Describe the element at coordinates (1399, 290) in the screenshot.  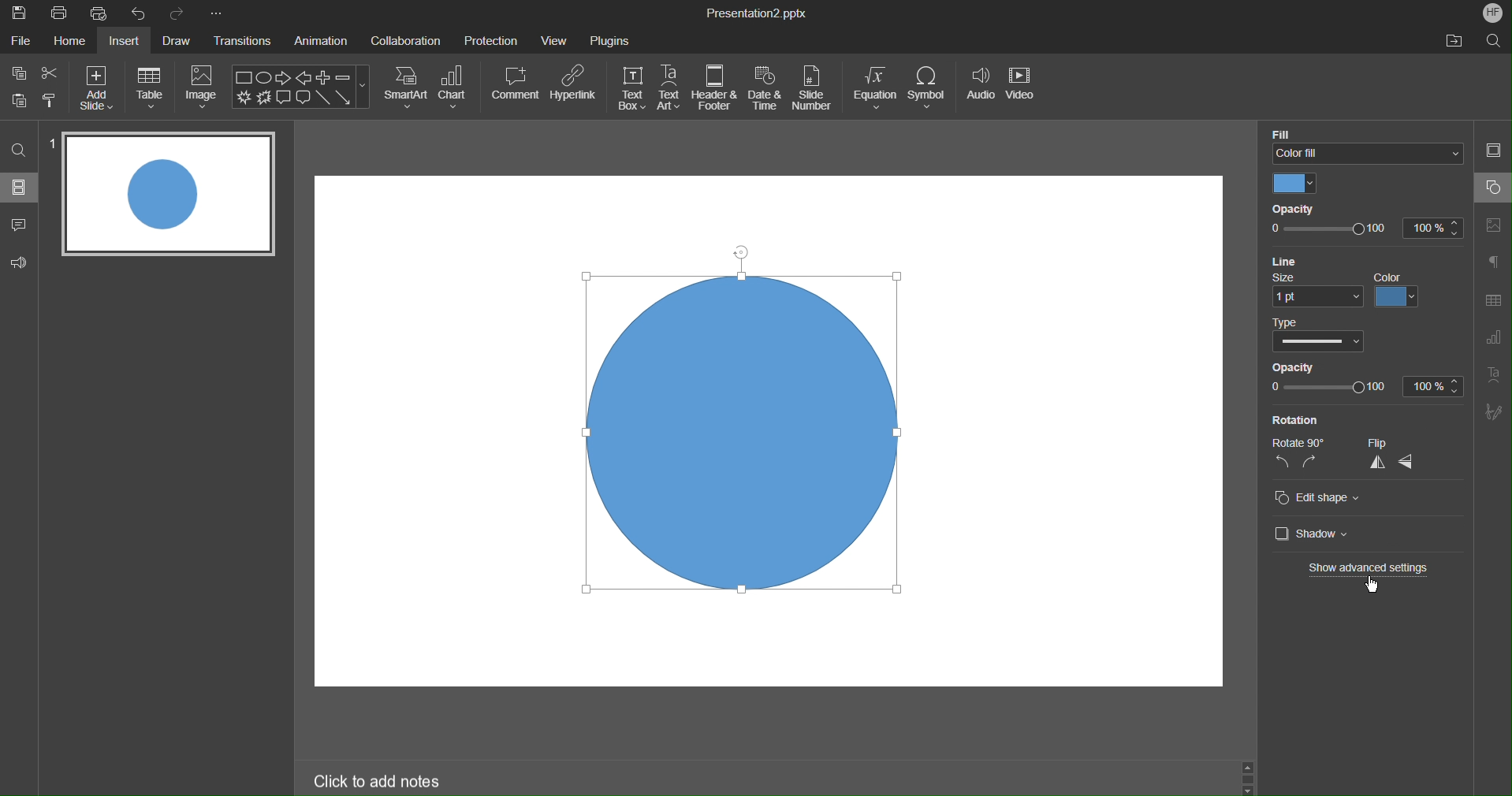
I see `color` at that location.